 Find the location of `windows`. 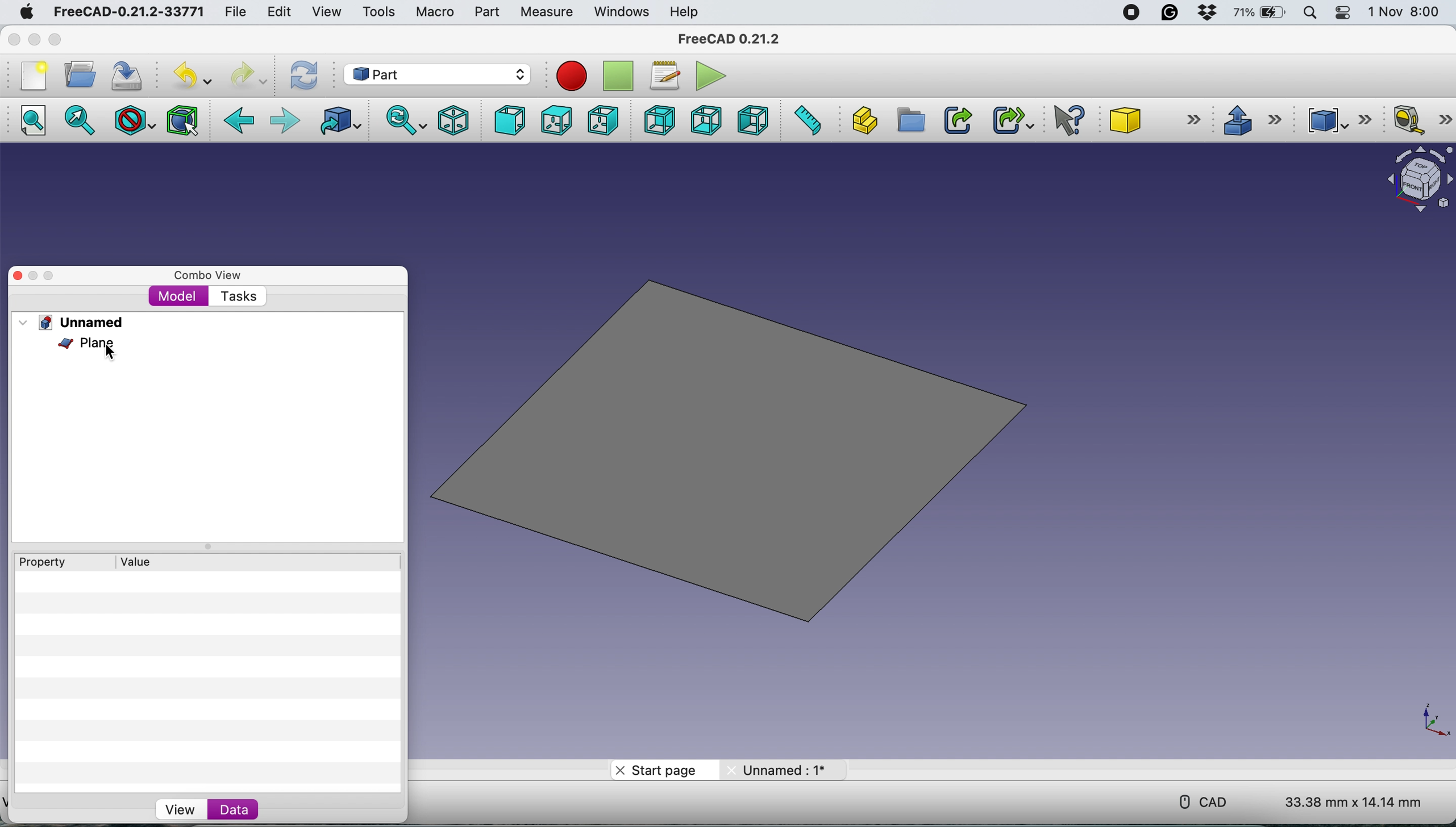

windows is located at coordinates (623, 12).